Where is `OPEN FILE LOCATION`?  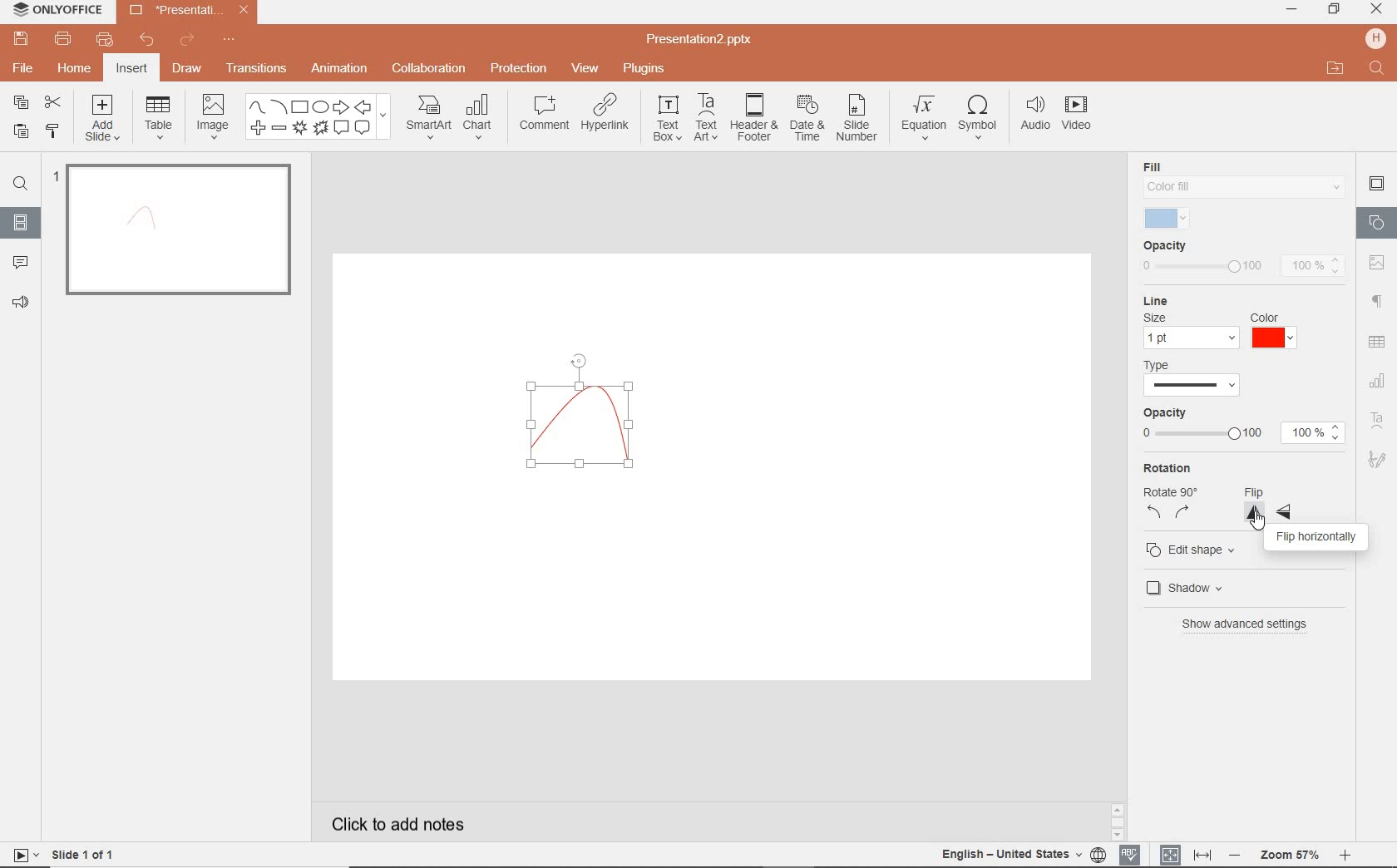
OPEN FILE LOCATION is located at coordinates (1335, 69).